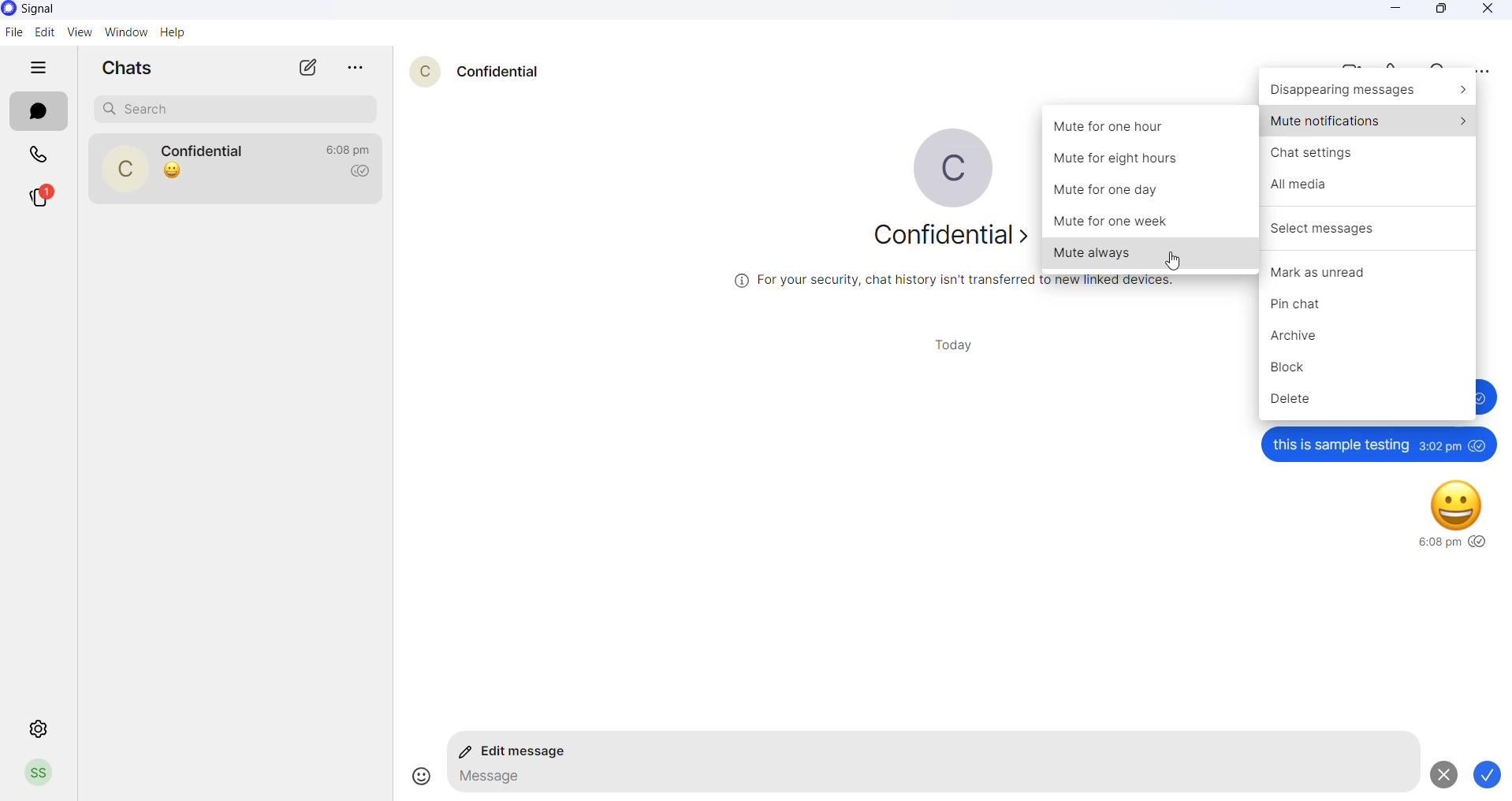  I want to click on more options, so click(359, 68).